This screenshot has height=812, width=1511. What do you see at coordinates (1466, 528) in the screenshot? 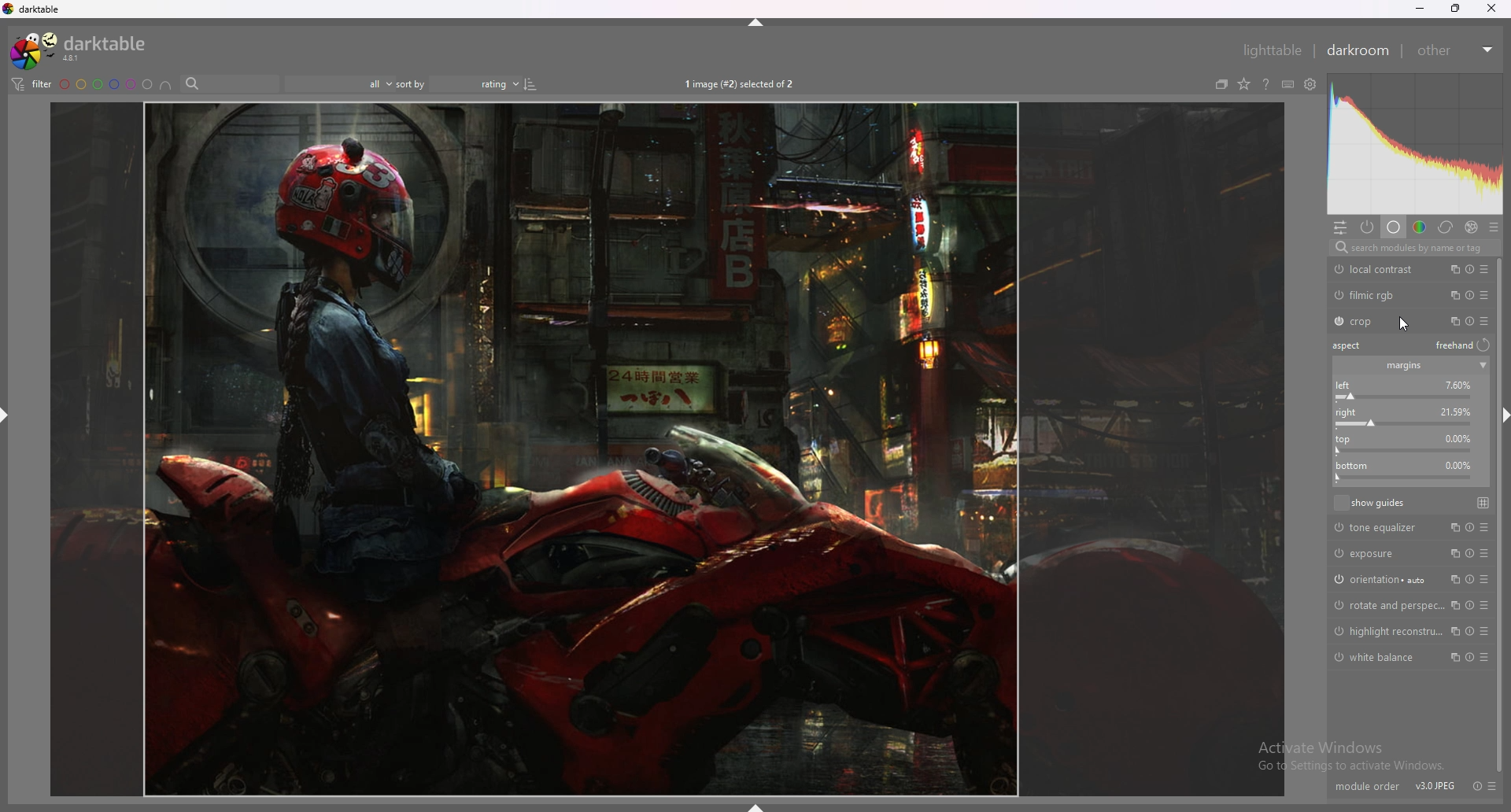
I see `reset` at bounding box center [1466, 528].